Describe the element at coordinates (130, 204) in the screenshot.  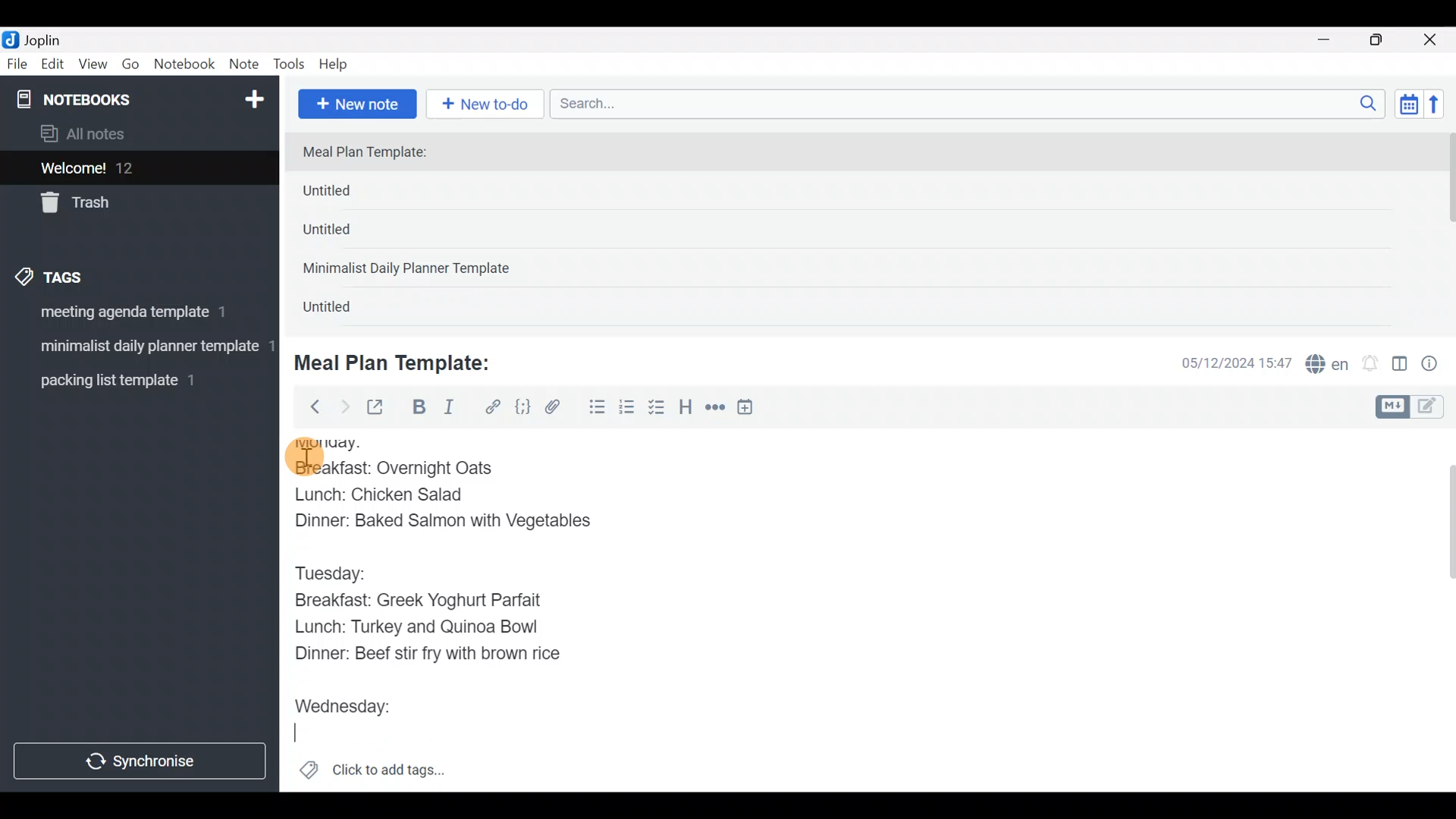
I see `Trash` at that location.